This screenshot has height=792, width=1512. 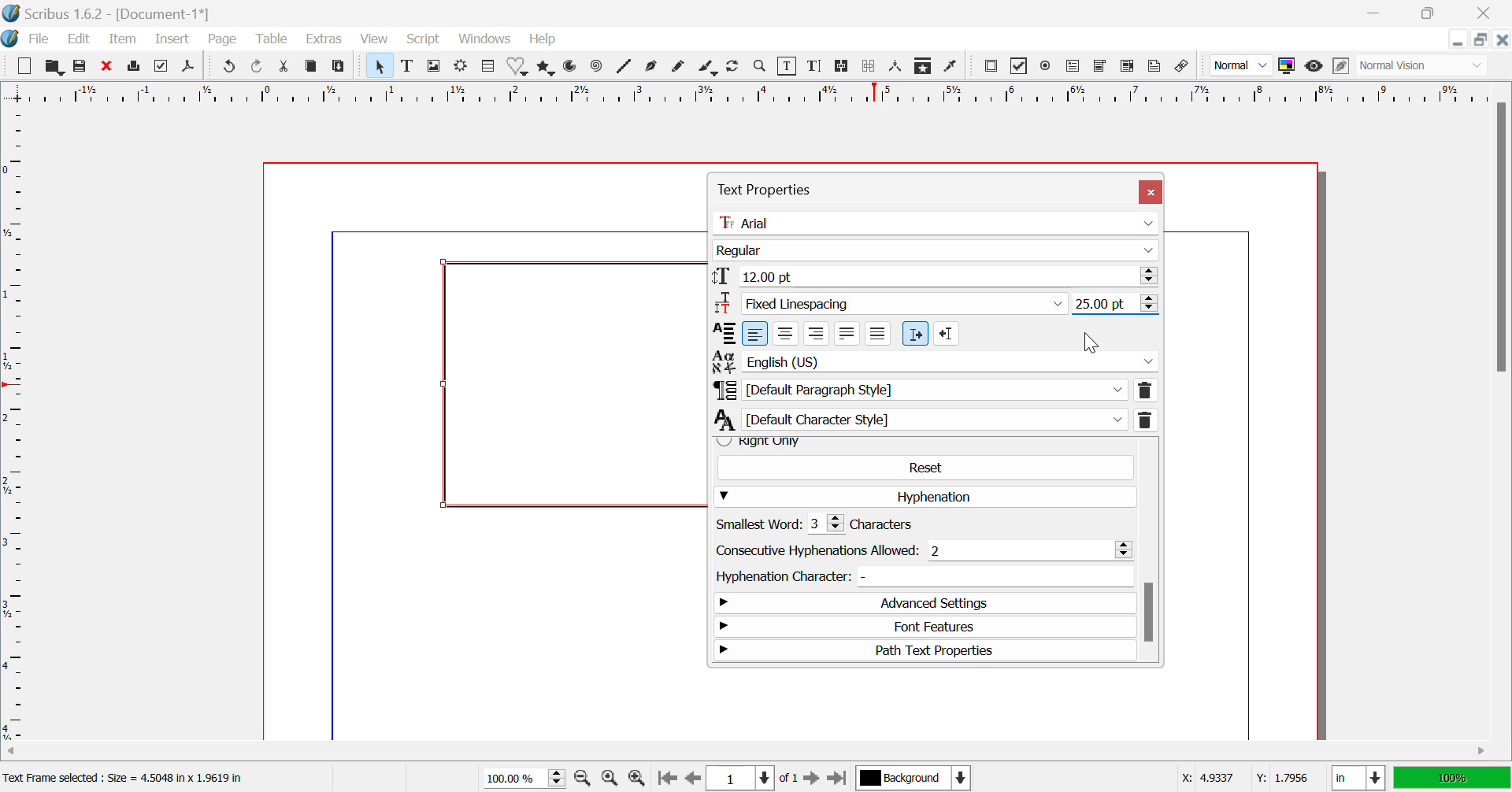 I want to click on Text Frame selected : Size = 4.5048 in x 1.9619 in, so click(x=130, y=778).